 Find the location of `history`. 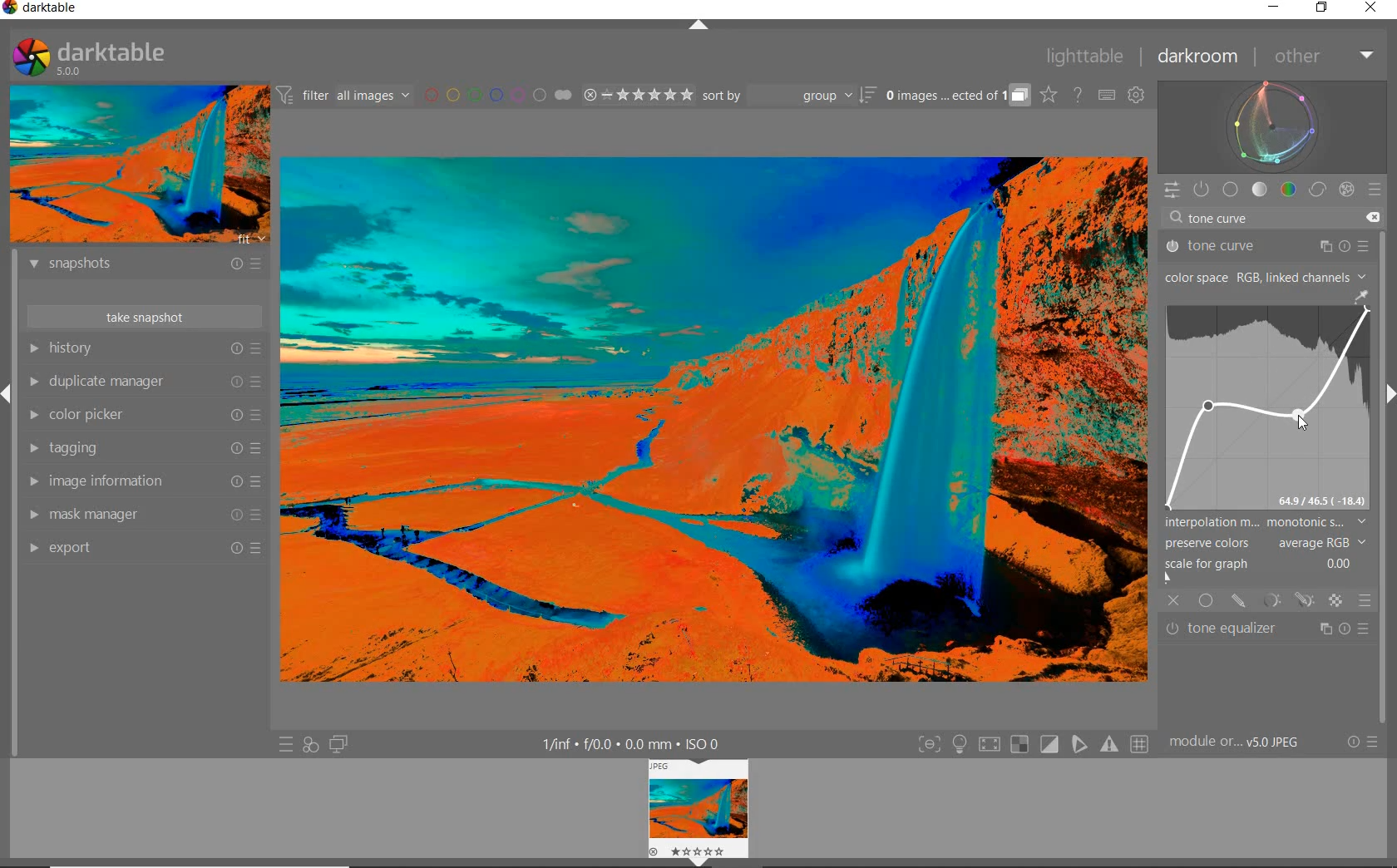

history is located at coordinates (144, 348).